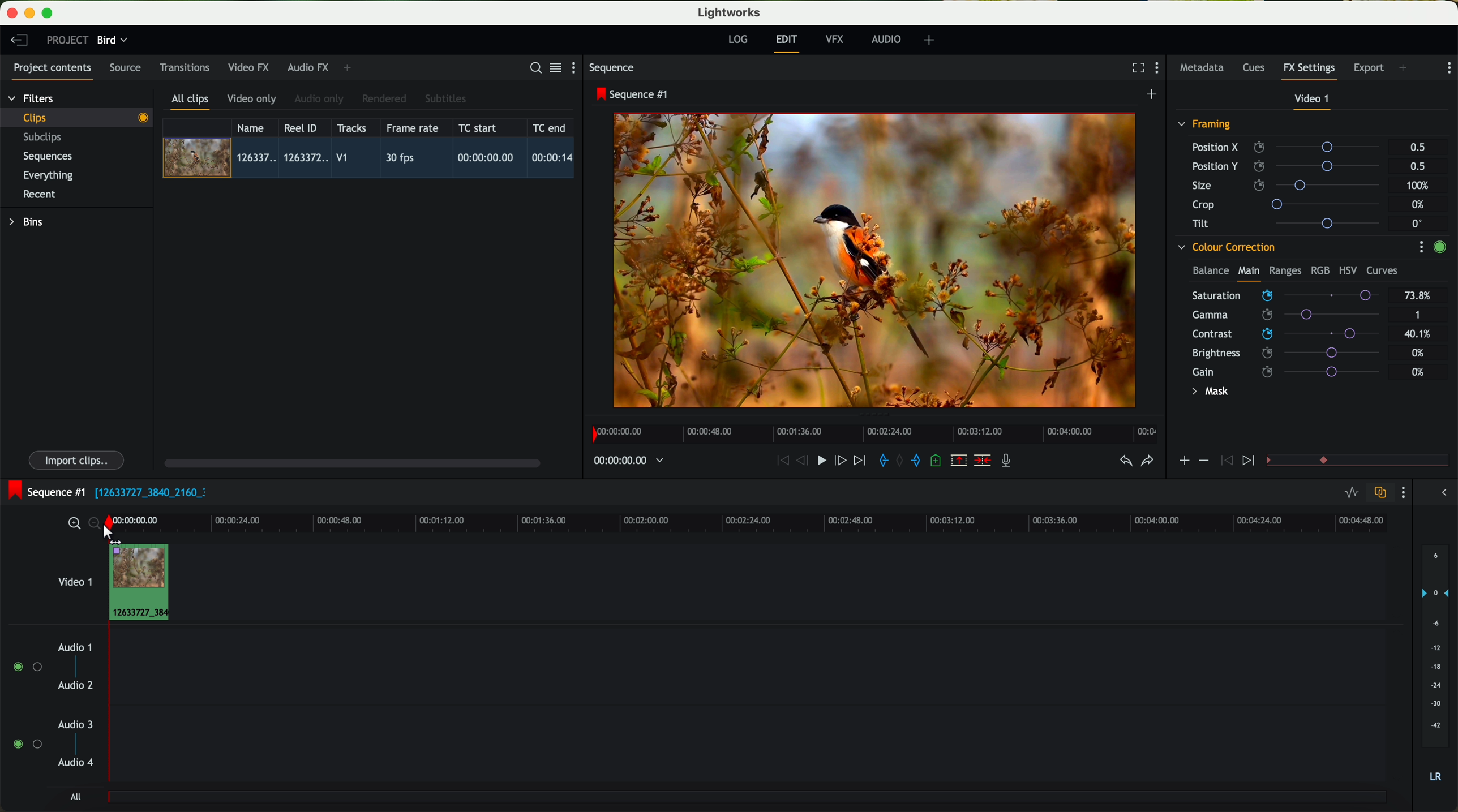 Image resolution: width=1458 pixels, height=812 pixels. Describe the element at coordinates (1208, 393) in the screenshot. I see `mask` at that location.